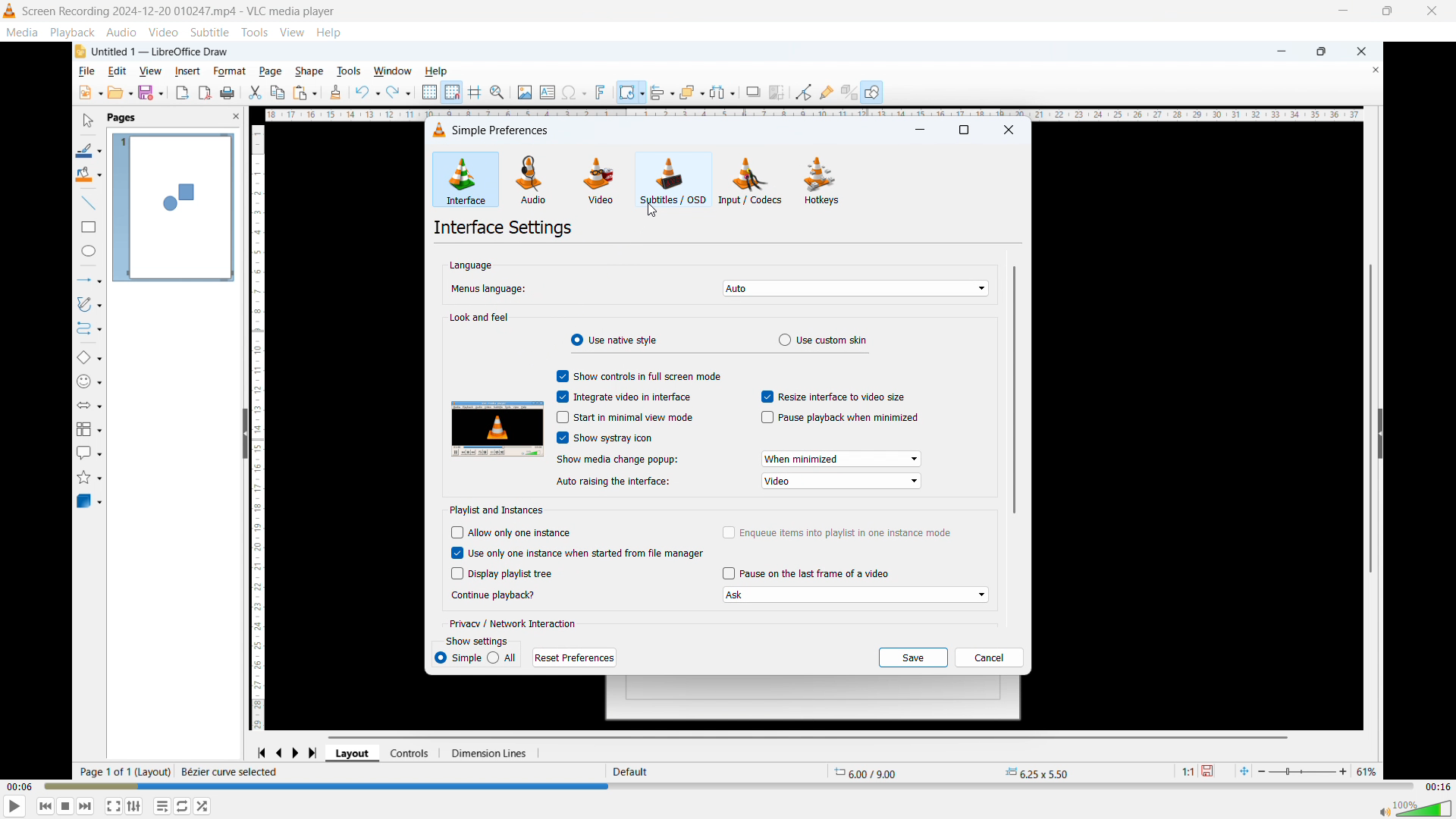 The height and width of the screenshot is (819, 1456). Describe the element at coordinates (577, 553) in the screenshot. I see `Use only one instance when started from file manager ` at that location.